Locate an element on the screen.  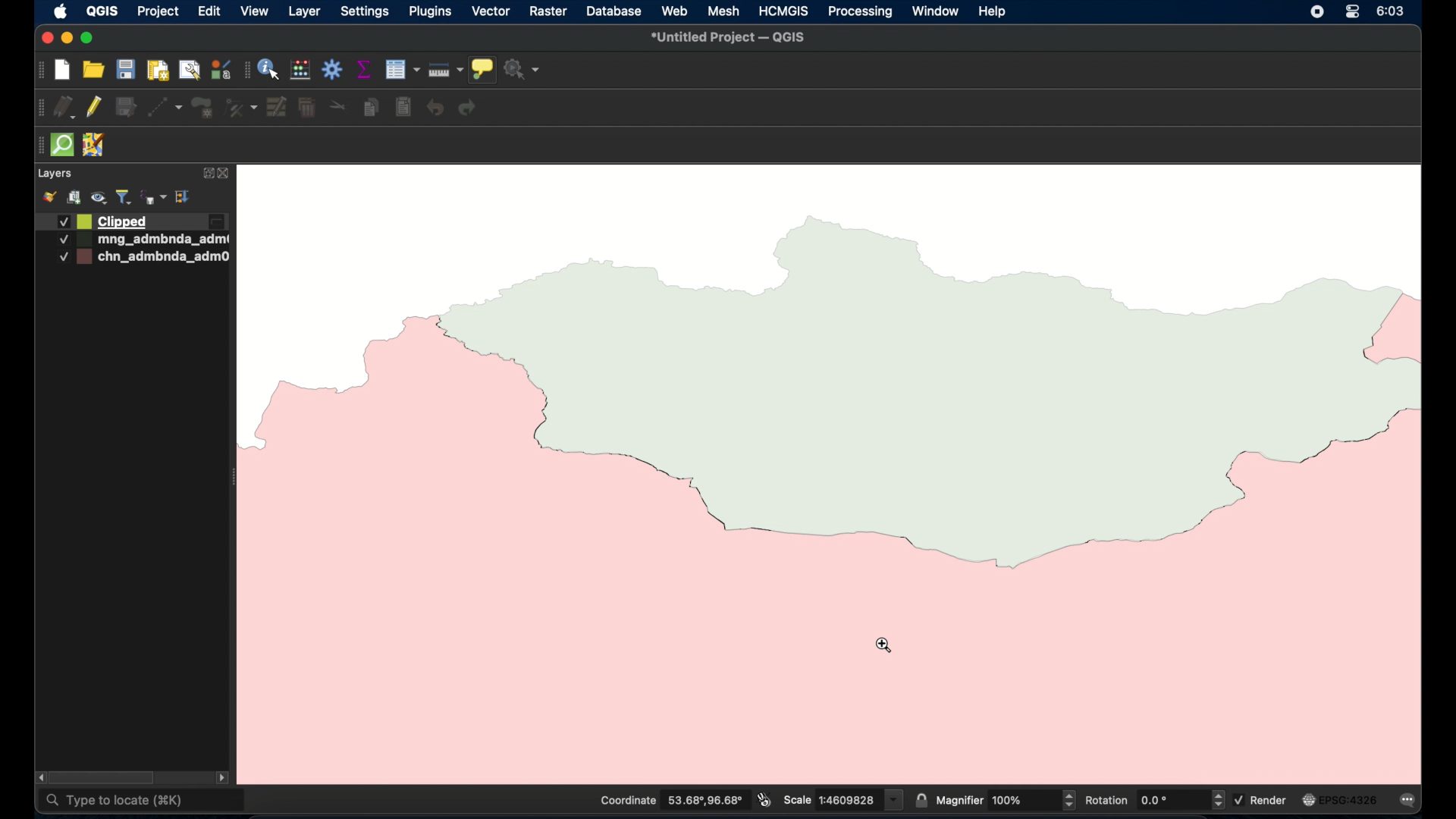
redo is located at coordinates (468, 108).